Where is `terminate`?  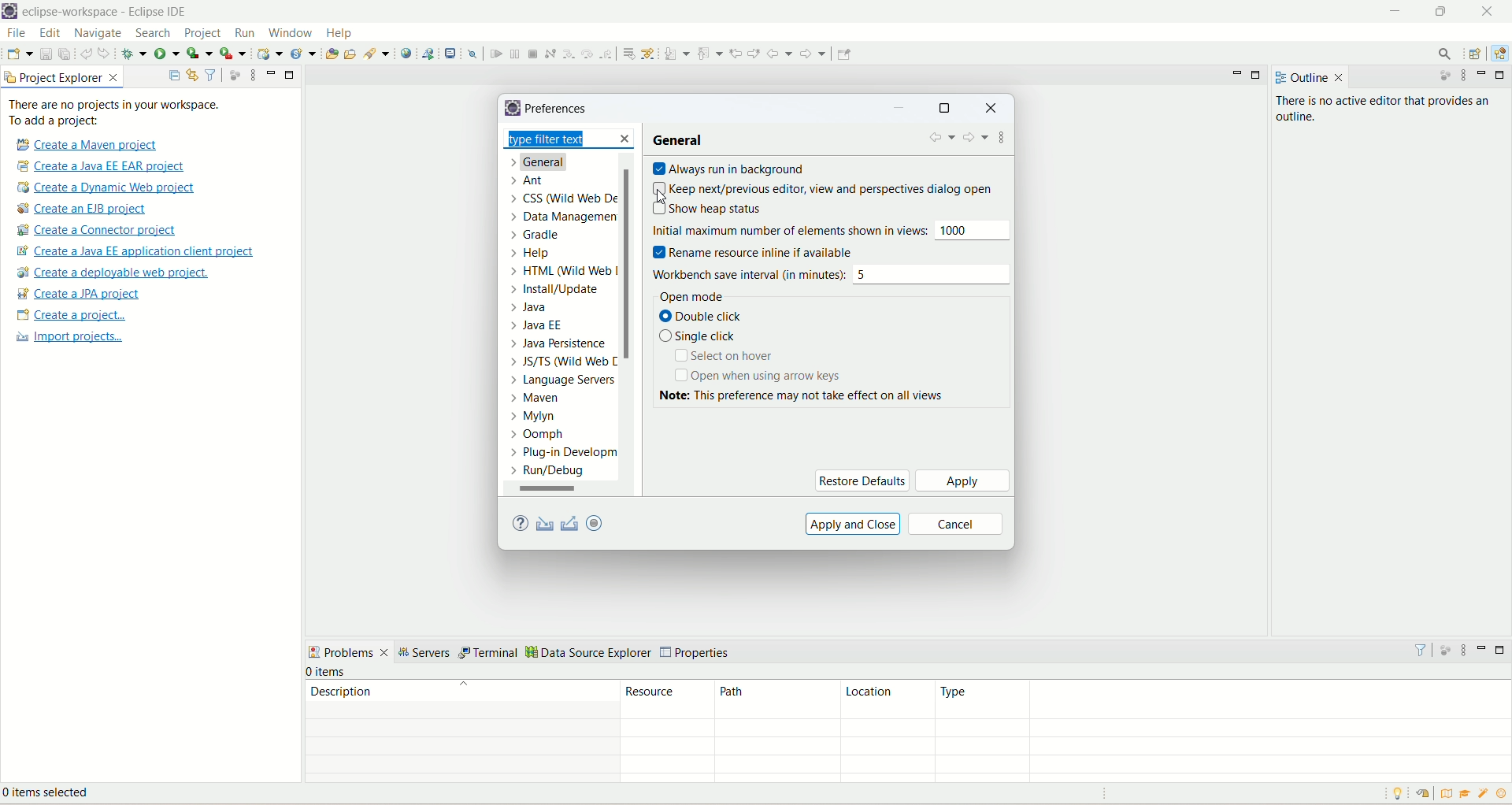
terminate is located at coordinates (535, 54).